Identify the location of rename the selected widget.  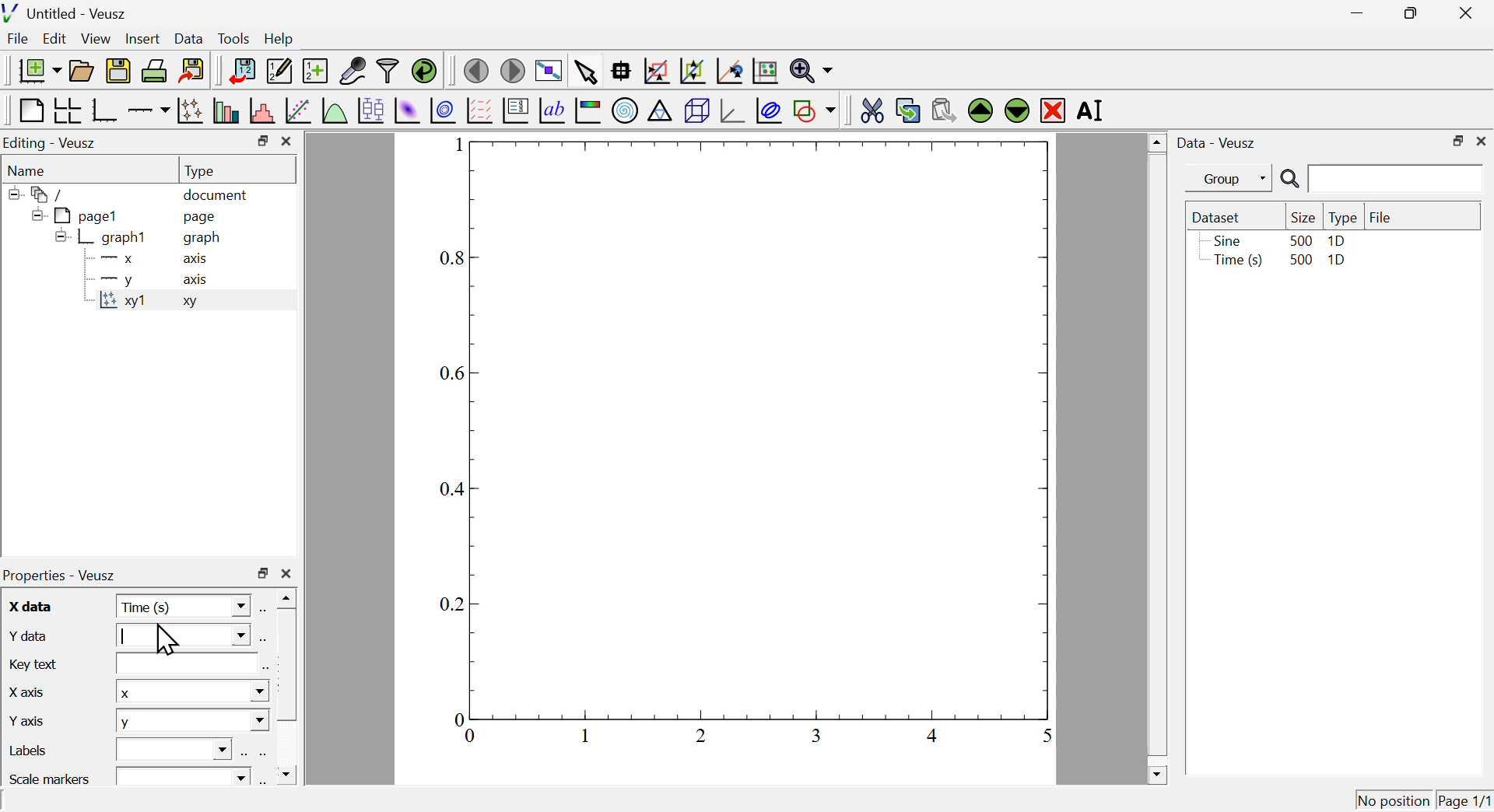
(1096, 111).